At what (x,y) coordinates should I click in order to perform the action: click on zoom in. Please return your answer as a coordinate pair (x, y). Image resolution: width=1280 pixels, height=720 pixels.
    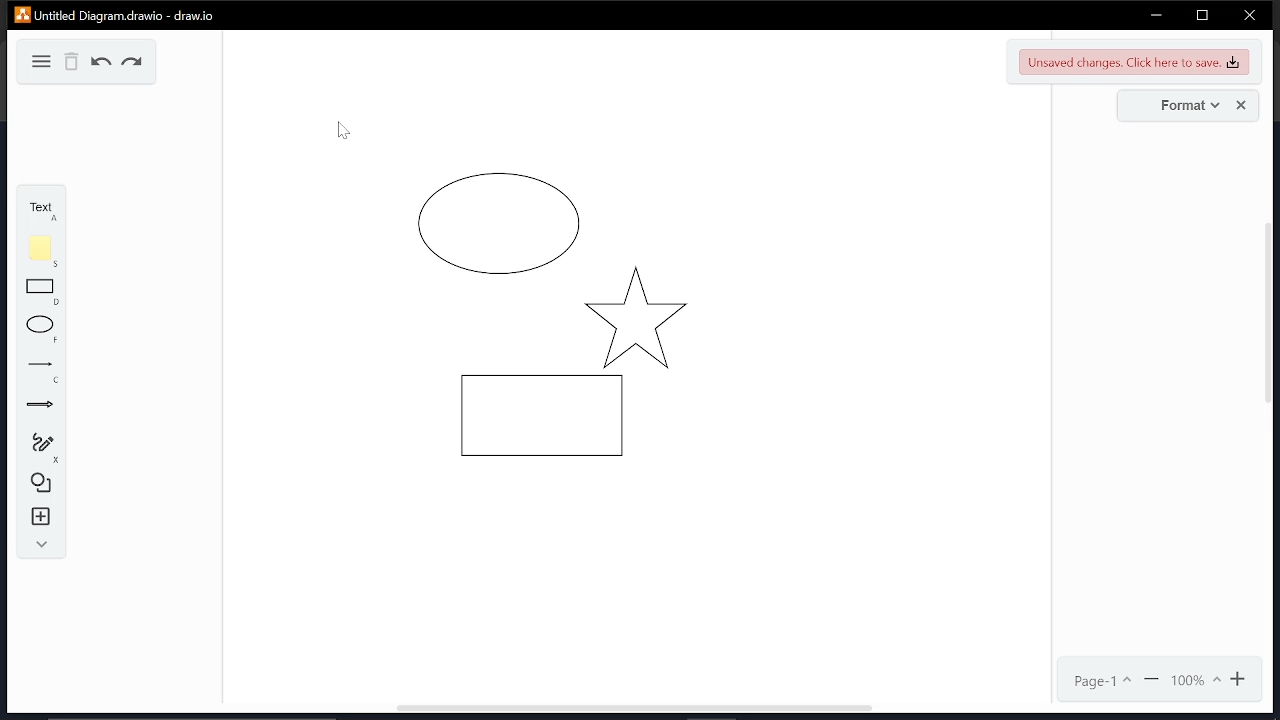
    Looking at the image, I should click on (1241, 679).